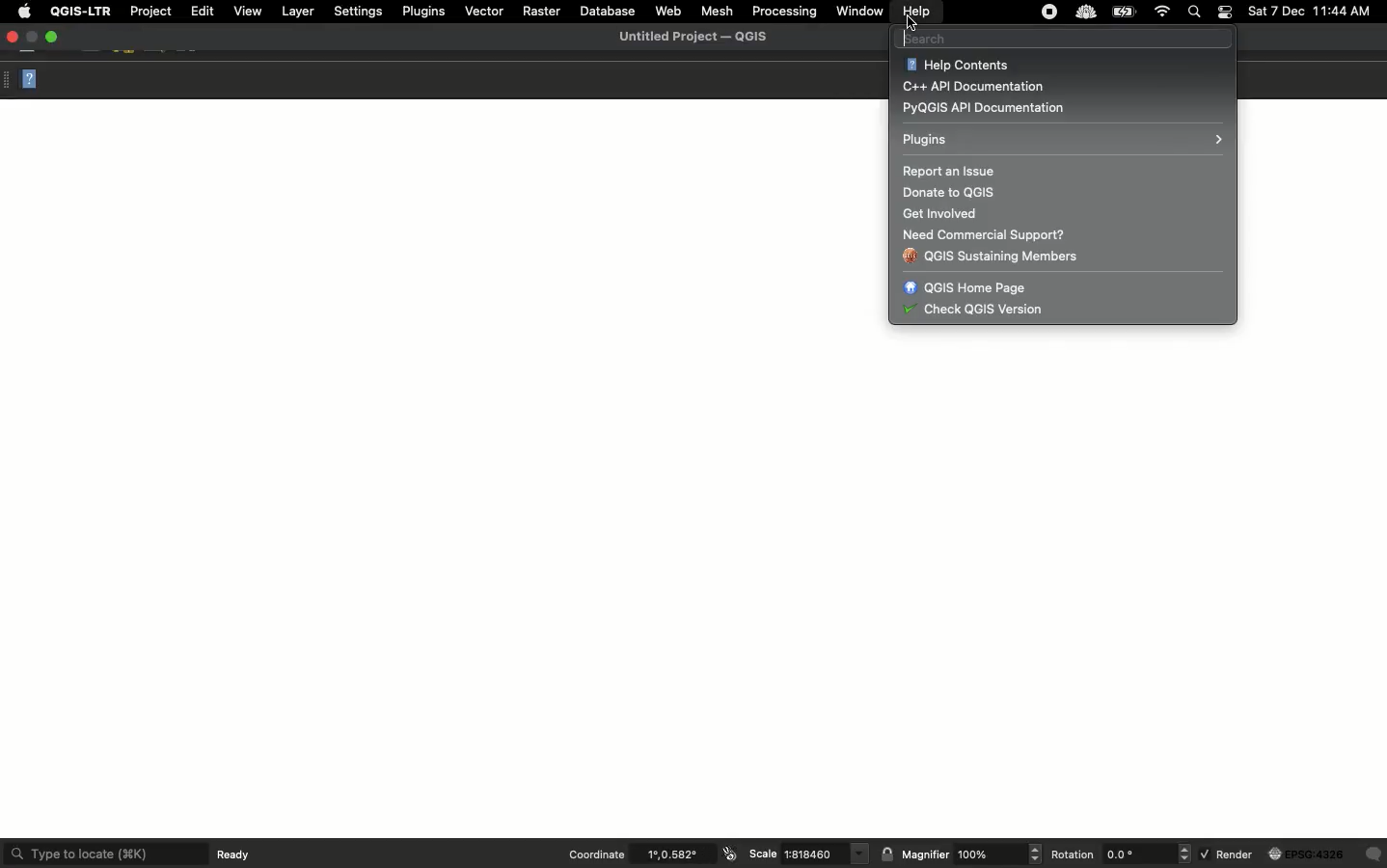 The width and height of the screenshot is (1387, 868). What do you see at coordinates (957, 66) in the screenshot?
I see `Help contents` at bounding box center [957, 66].